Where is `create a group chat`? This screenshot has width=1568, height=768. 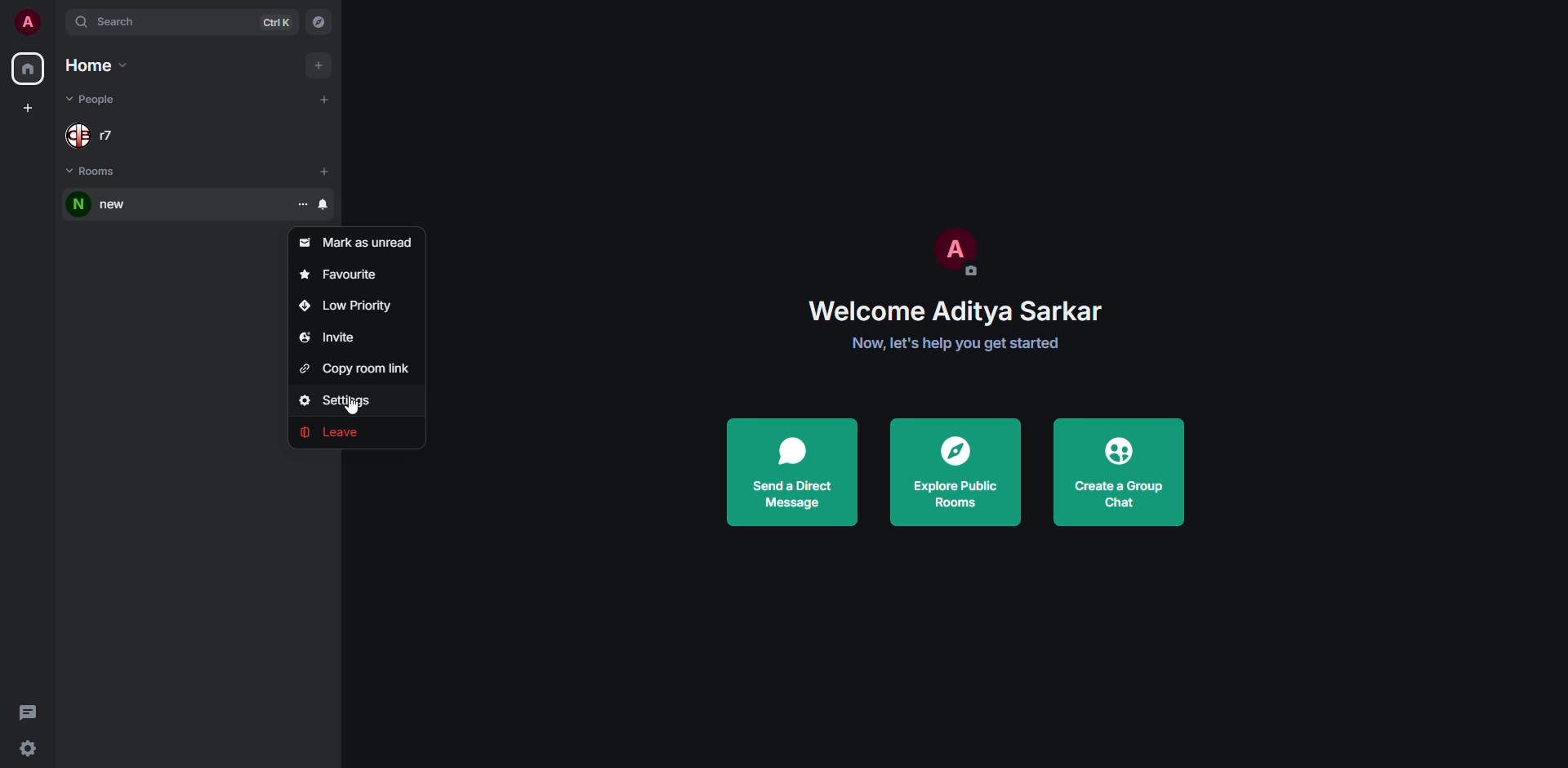
create a group chat is located at coordinates (1120, 470).